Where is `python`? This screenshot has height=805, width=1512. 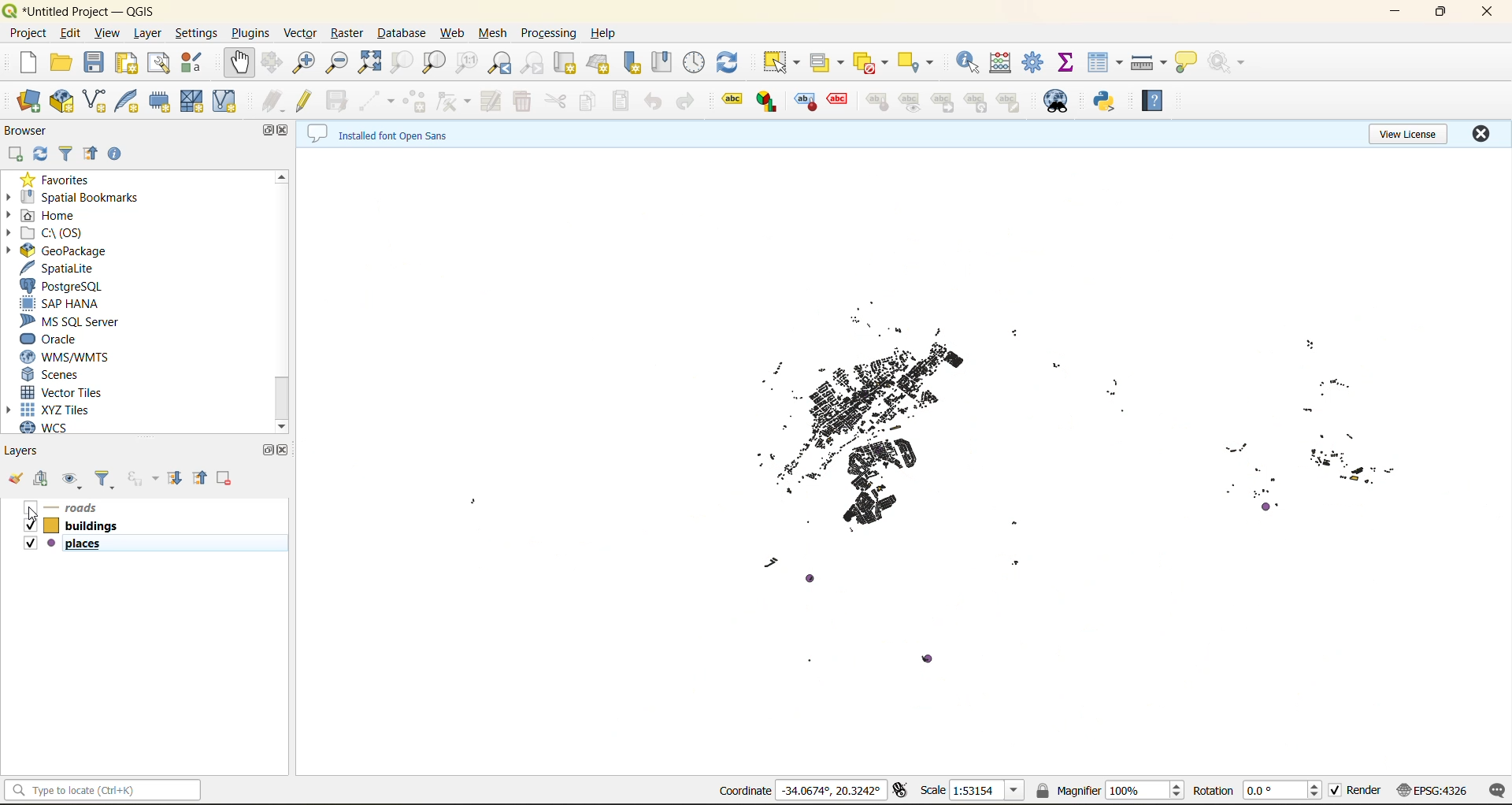
python is located at coordinates (1110, 102).